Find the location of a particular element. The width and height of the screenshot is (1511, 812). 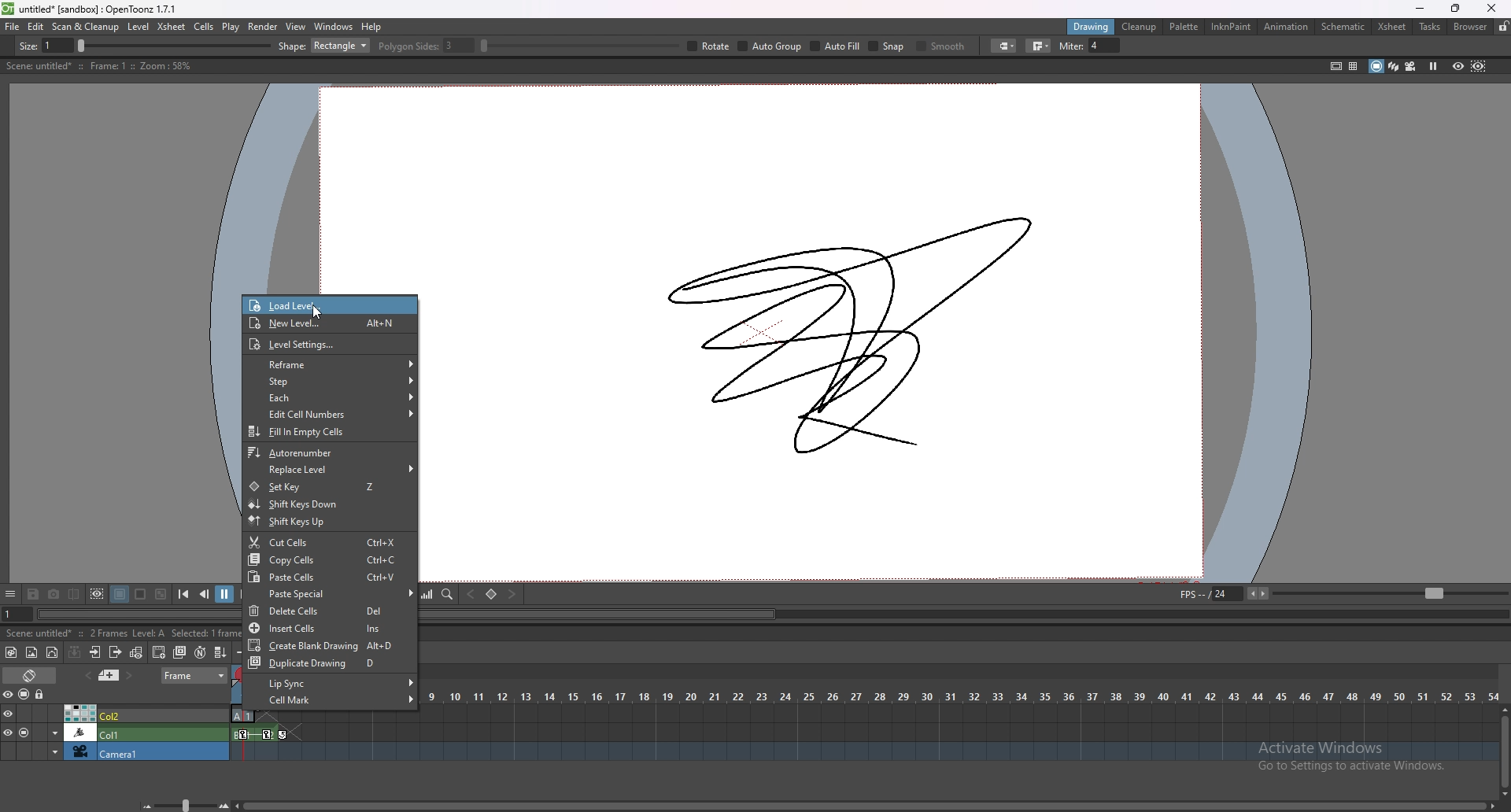

cell mark is located at coordinates (331, 700).